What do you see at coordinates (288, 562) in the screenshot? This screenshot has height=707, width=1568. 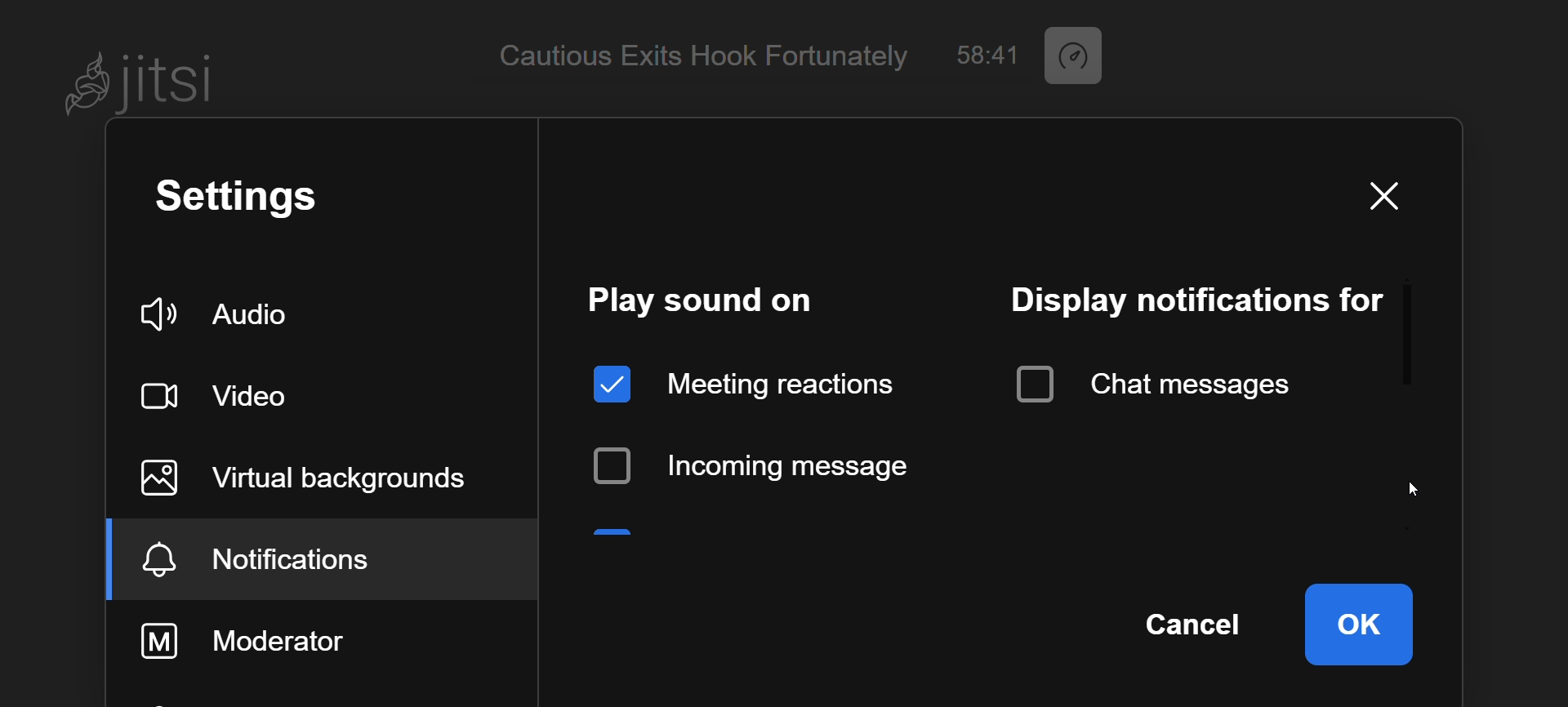 I see `notification` at bounding box center [288, 562].